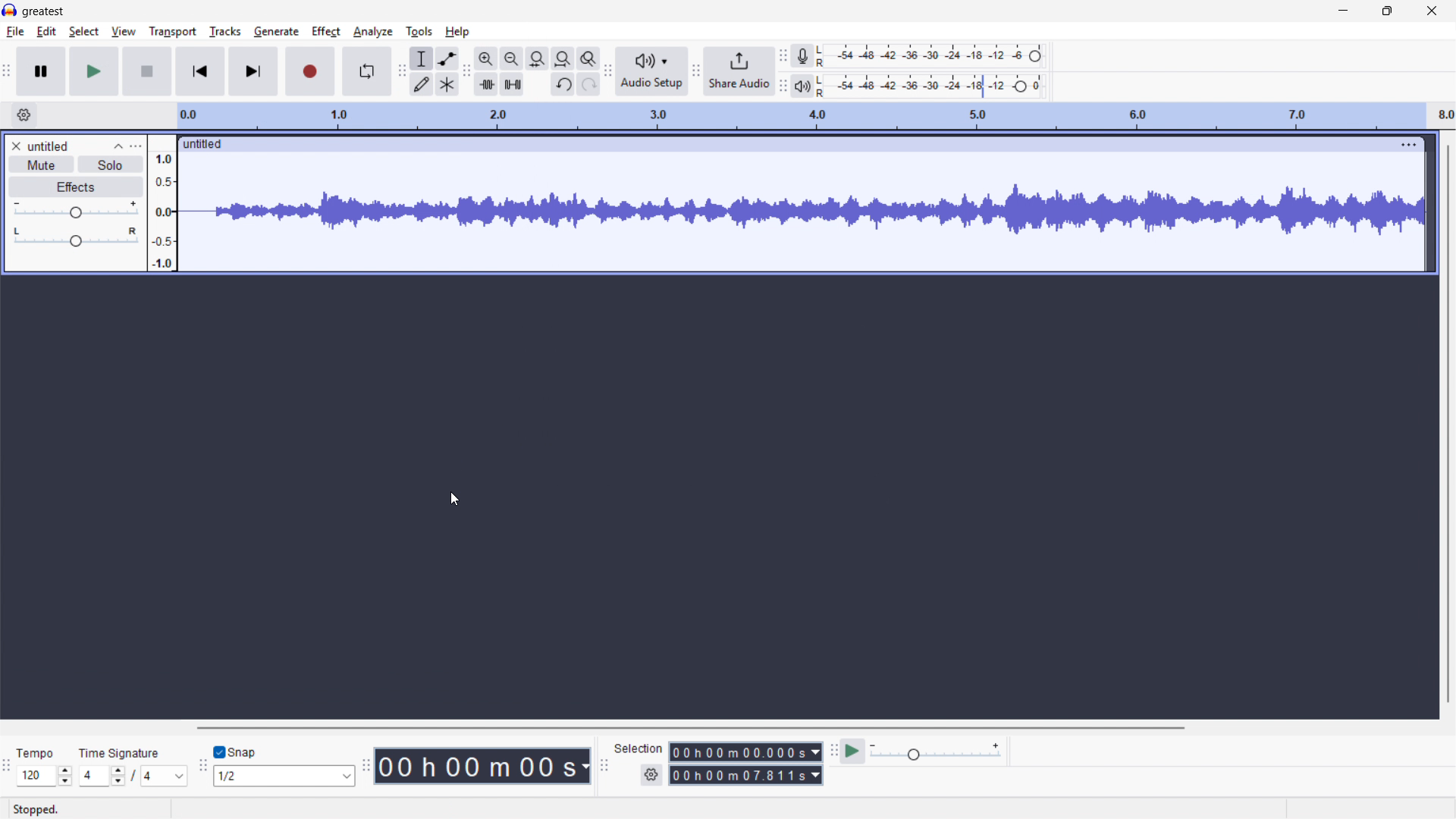 Image resolution: width=1456 pixels, height=819 pixels. Describe the element at coordinates (639, 748) in the screenshot. I see `selection` at that location.